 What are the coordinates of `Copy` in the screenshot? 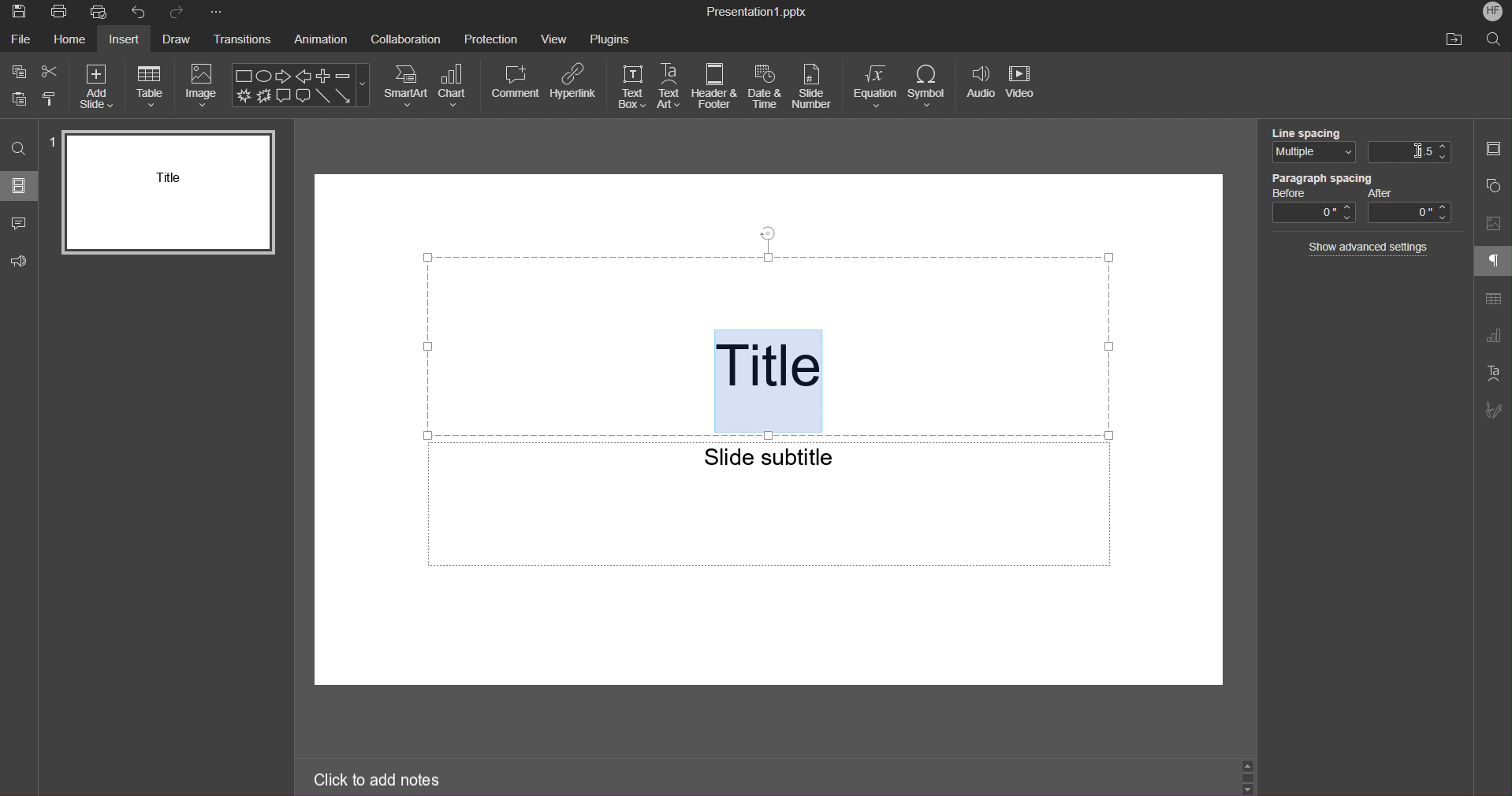 It's located at (16, 70).